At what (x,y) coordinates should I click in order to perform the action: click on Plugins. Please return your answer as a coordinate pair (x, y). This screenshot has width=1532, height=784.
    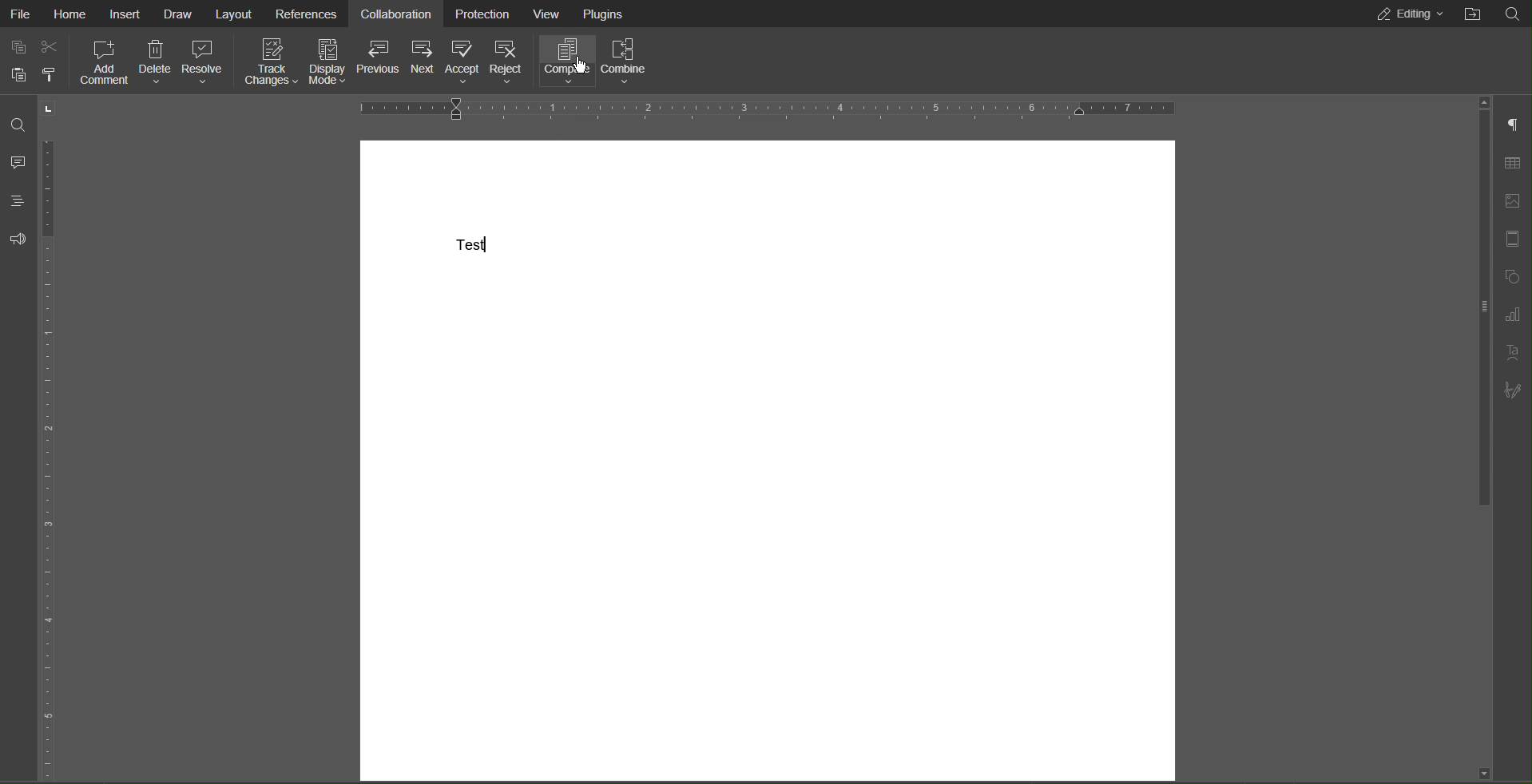
    Looking at the image, I should click on (605, 14).